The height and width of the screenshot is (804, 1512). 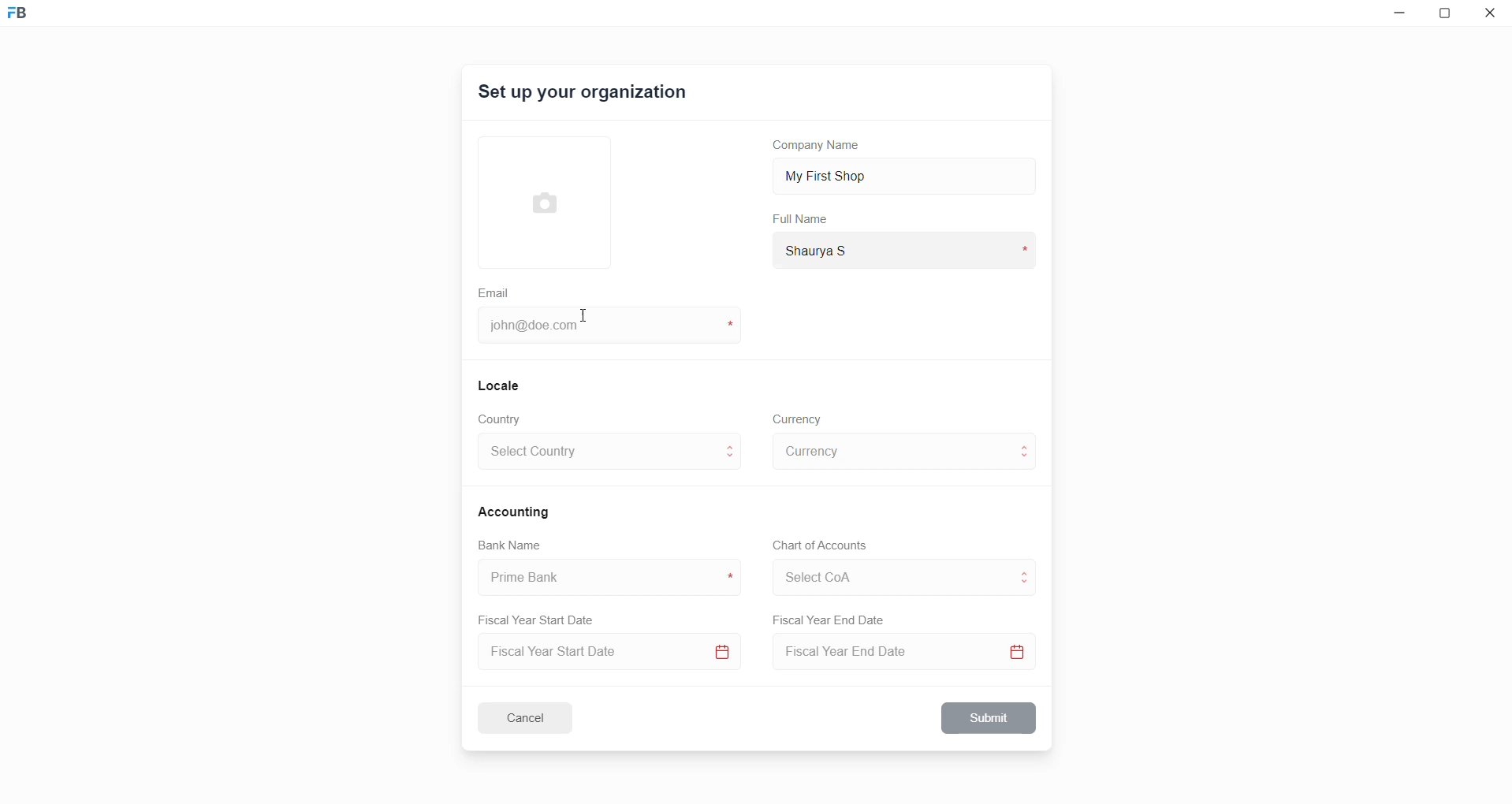 What do you see at coordinates (815, 545) in the screenshot?
I see `Chart of Accounts` at bounding box center [815, 545].